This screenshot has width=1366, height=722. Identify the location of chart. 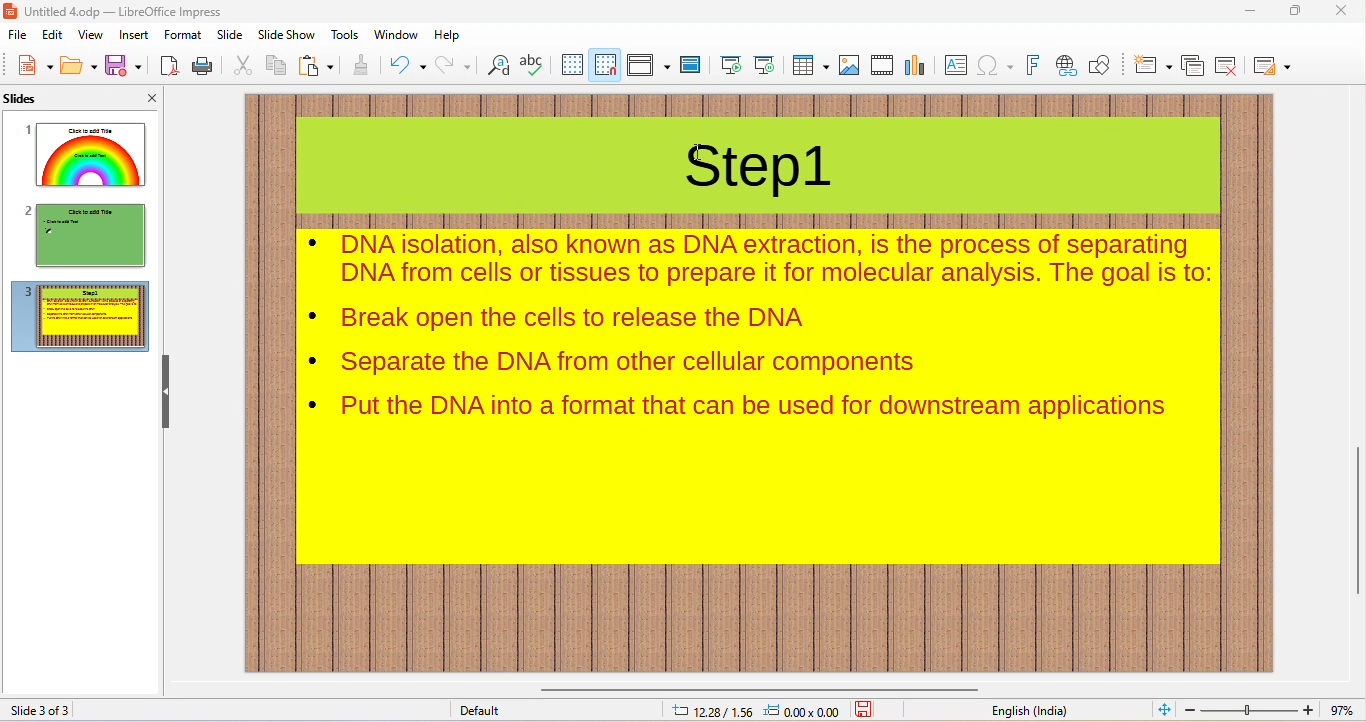
(915, 66).